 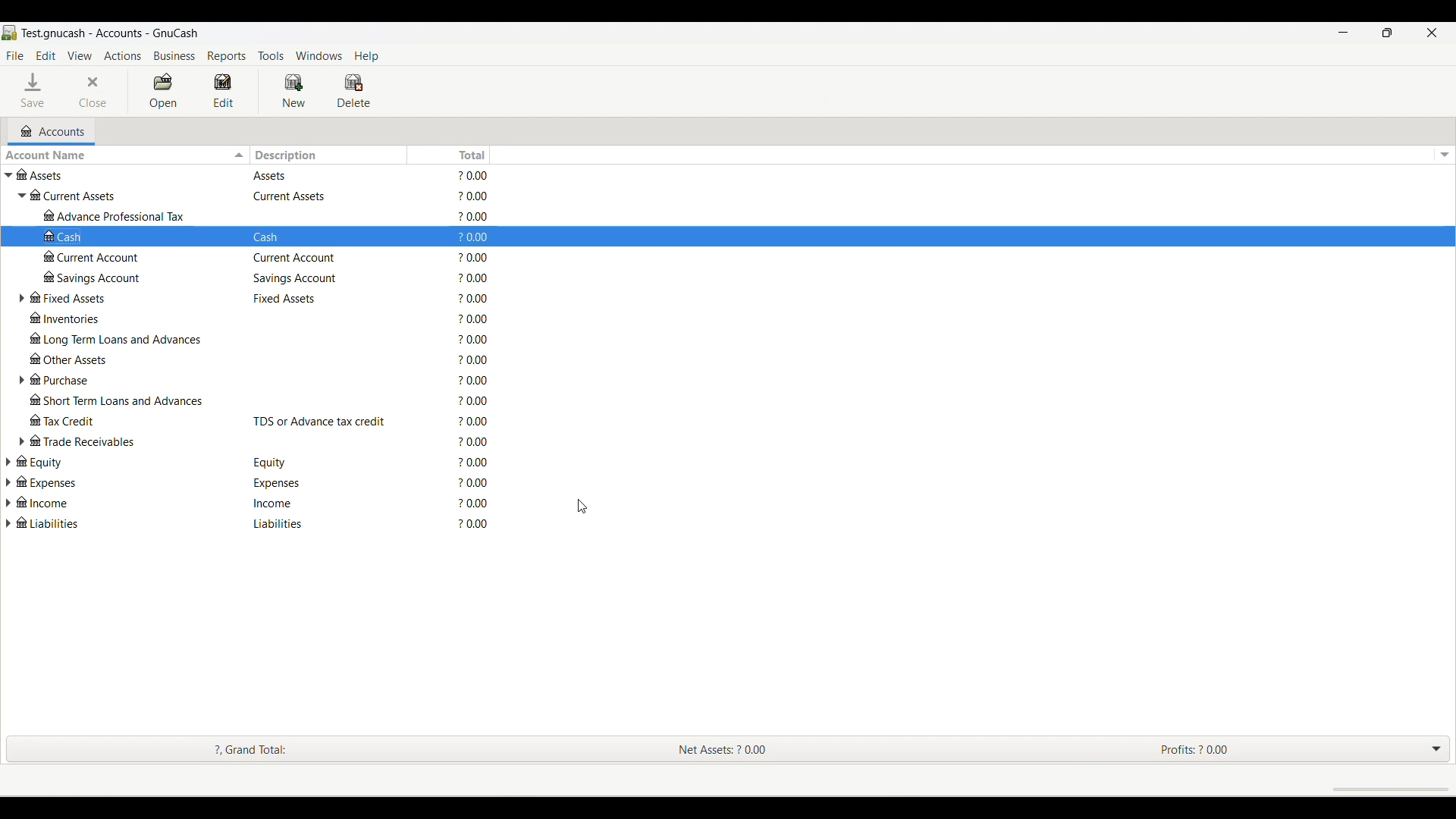 I want to click on Close, so click(x=92, y=91).